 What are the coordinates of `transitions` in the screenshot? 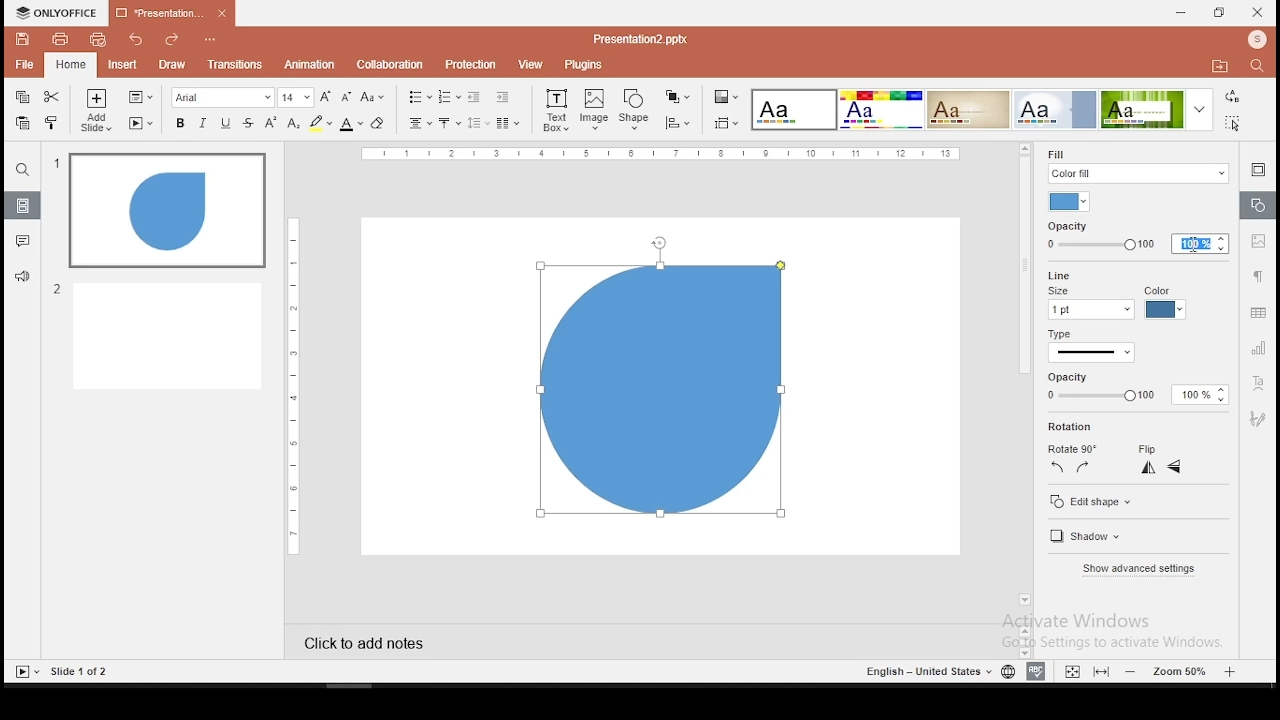 It's located at (234, 64).